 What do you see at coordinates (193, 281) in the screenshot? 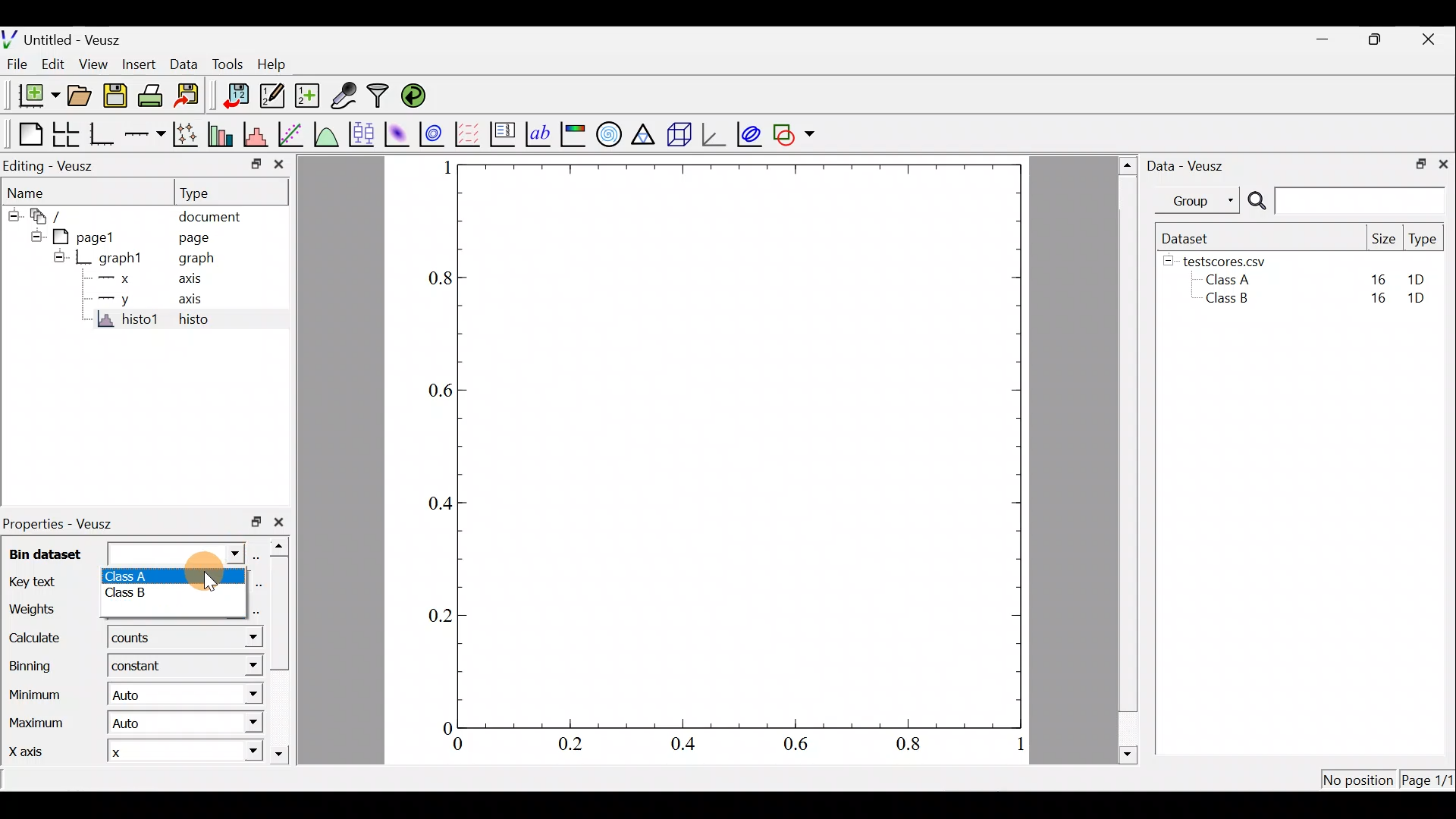
I see `axis` at bounding box center [193, 281].